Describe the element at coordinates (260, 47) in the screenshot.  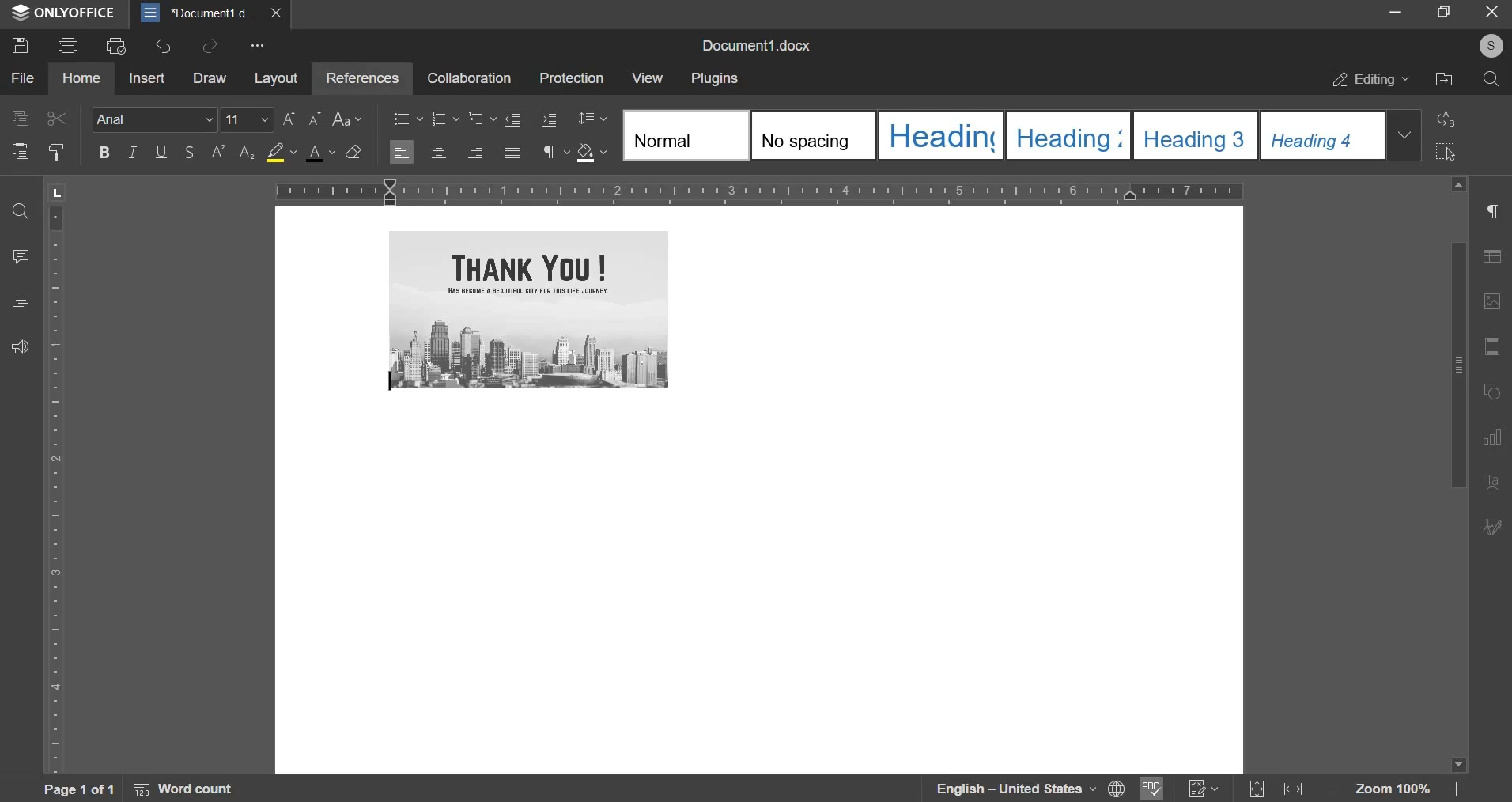
I see `more options` at that location.